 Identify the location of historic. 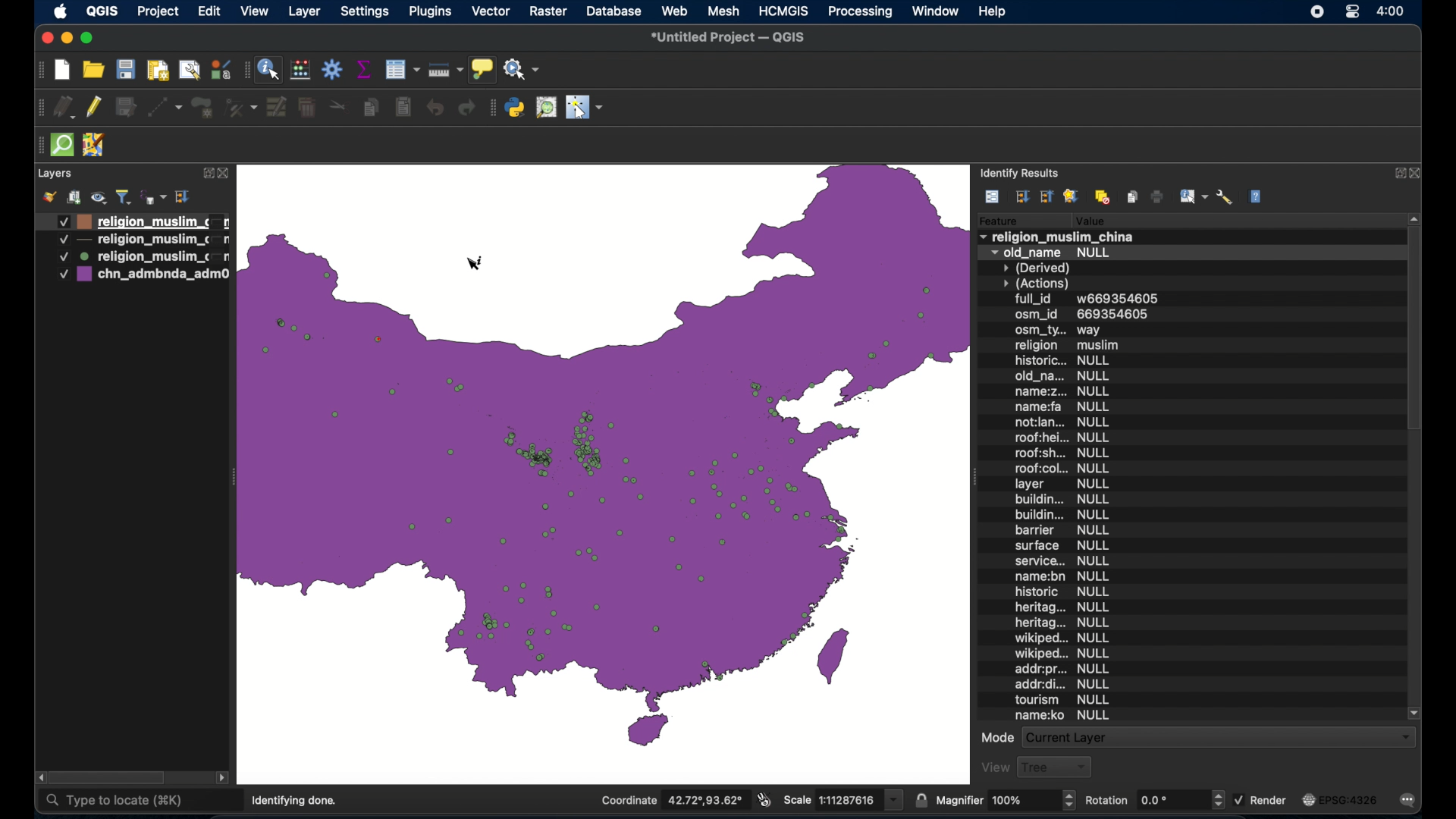
(1062, 361).